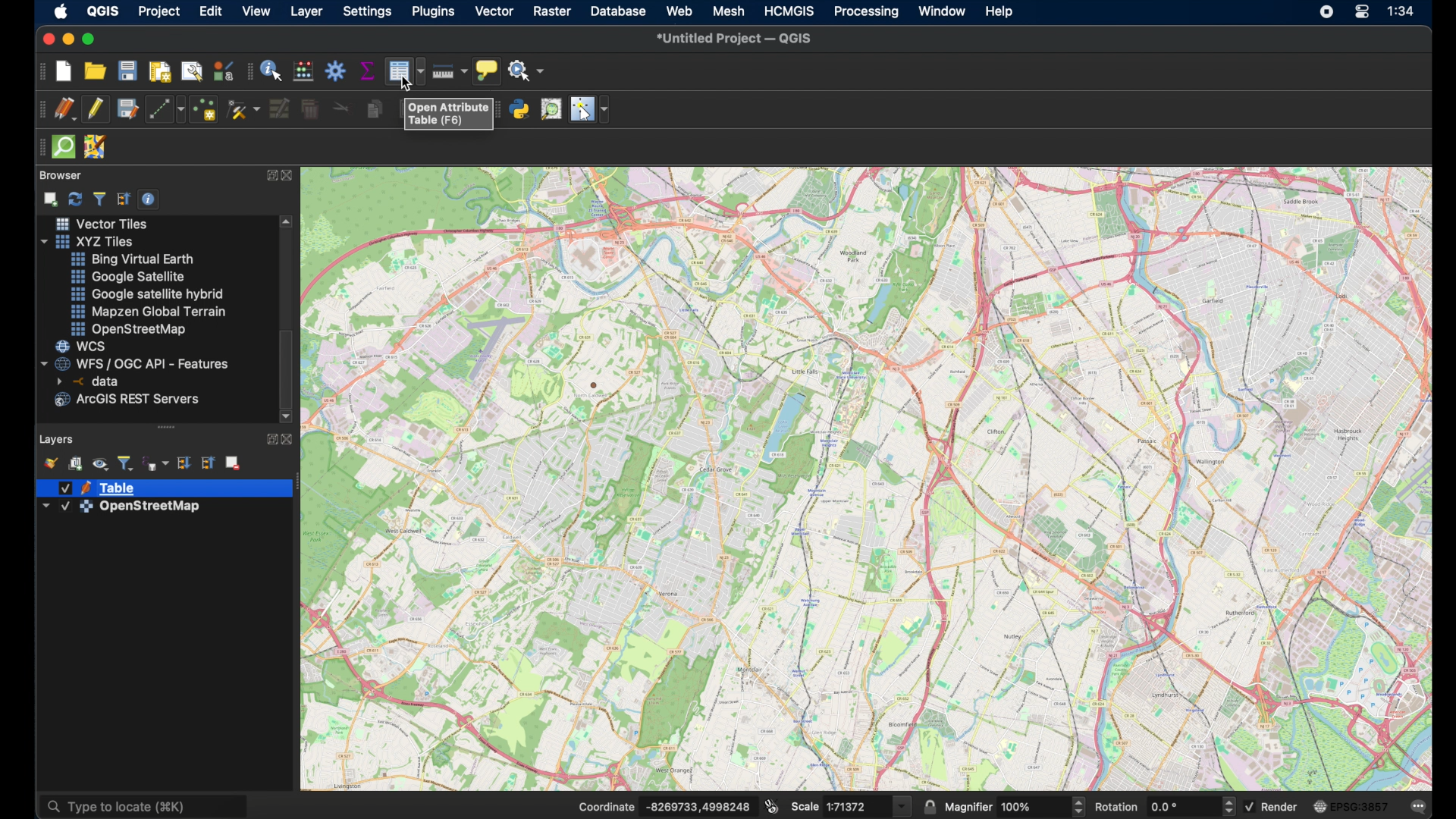 This screenshot has height=819, width=1456. I want to click on plugins, so click(435, 11).